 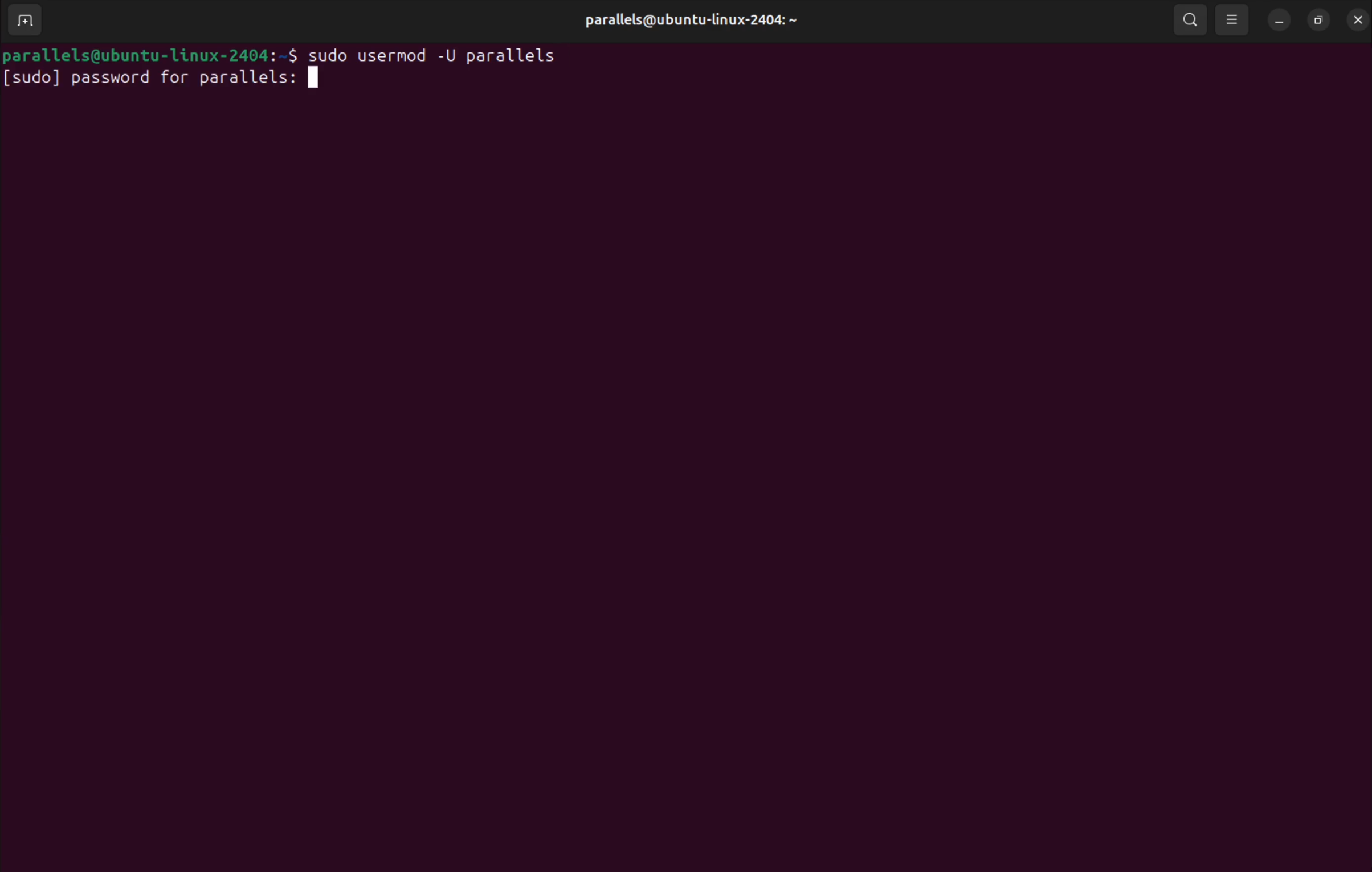 What do you see at coordinates (1356, 19) in the screenshot?
I see `close` at bounding box center [1356, 19].